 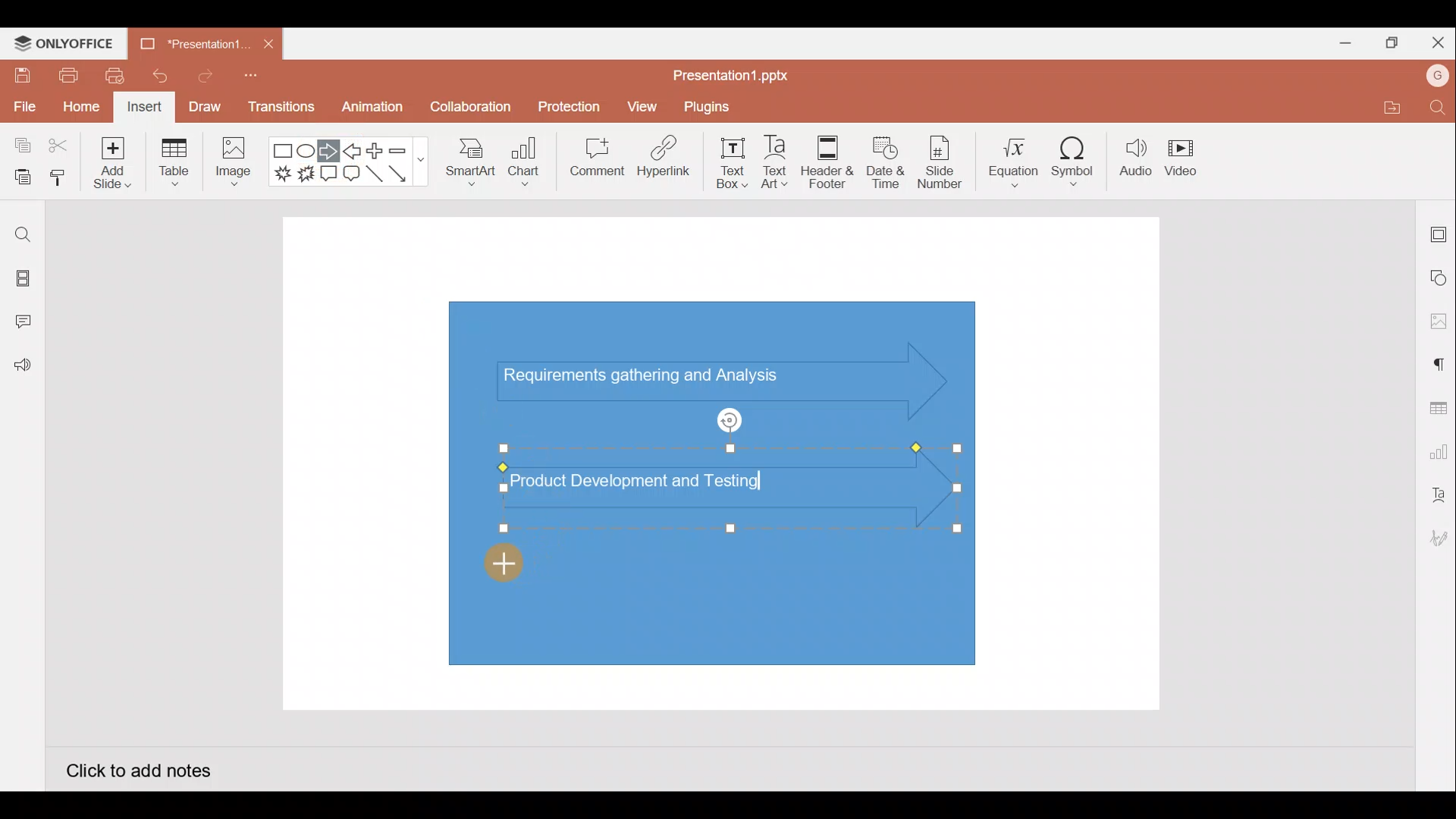 What do you see at coordinates (781, 158) in the screenshot?
I see `Text Art` at bounding box center [781, 158].